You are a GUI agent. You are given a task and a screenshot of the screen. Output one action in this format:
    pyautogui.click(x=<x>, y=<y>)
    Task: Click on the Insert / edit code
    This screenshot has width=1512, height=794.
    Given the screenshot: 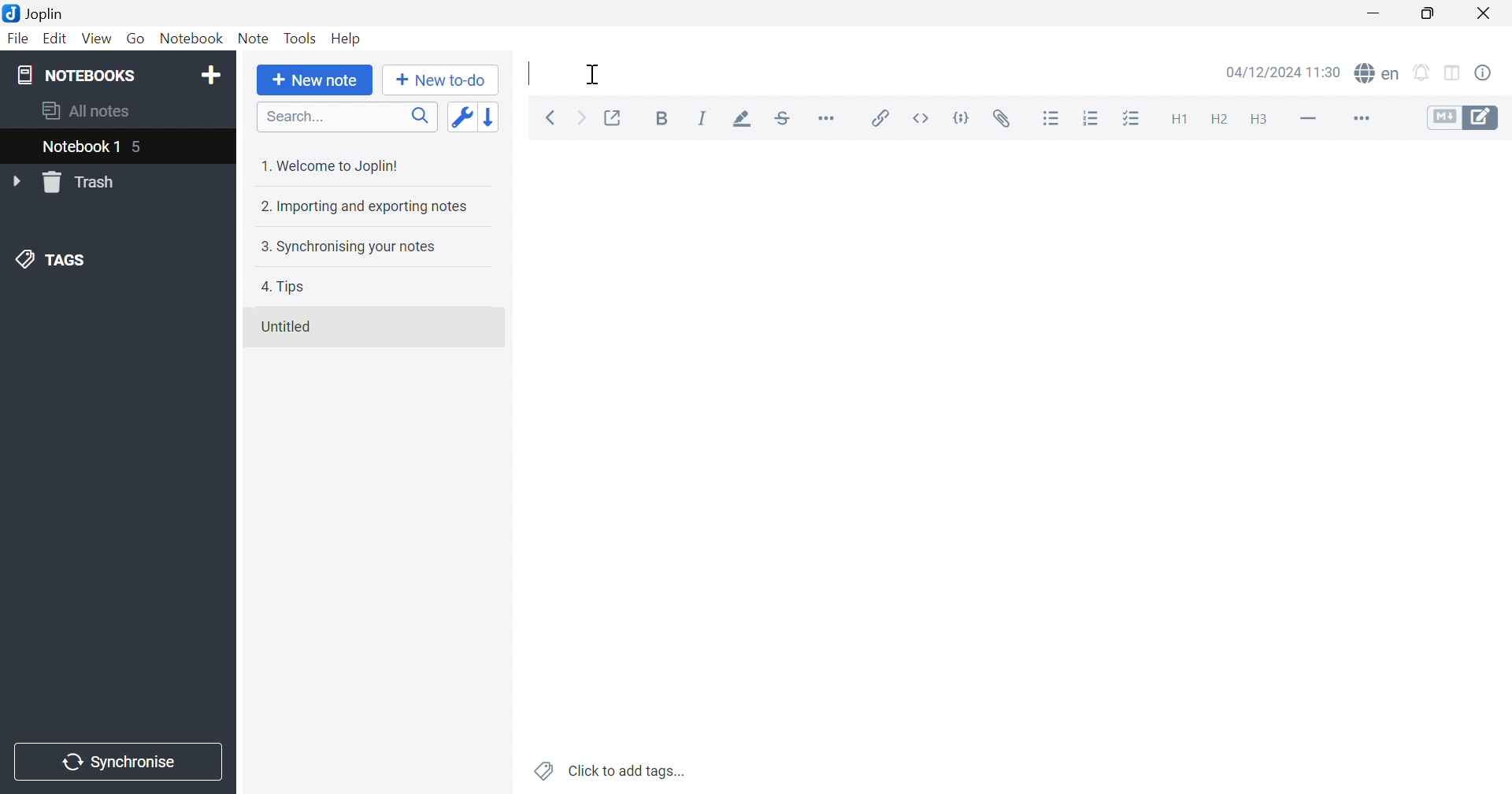 What is the action you would take?
    pyautogui.click(x=877, y=118)
    